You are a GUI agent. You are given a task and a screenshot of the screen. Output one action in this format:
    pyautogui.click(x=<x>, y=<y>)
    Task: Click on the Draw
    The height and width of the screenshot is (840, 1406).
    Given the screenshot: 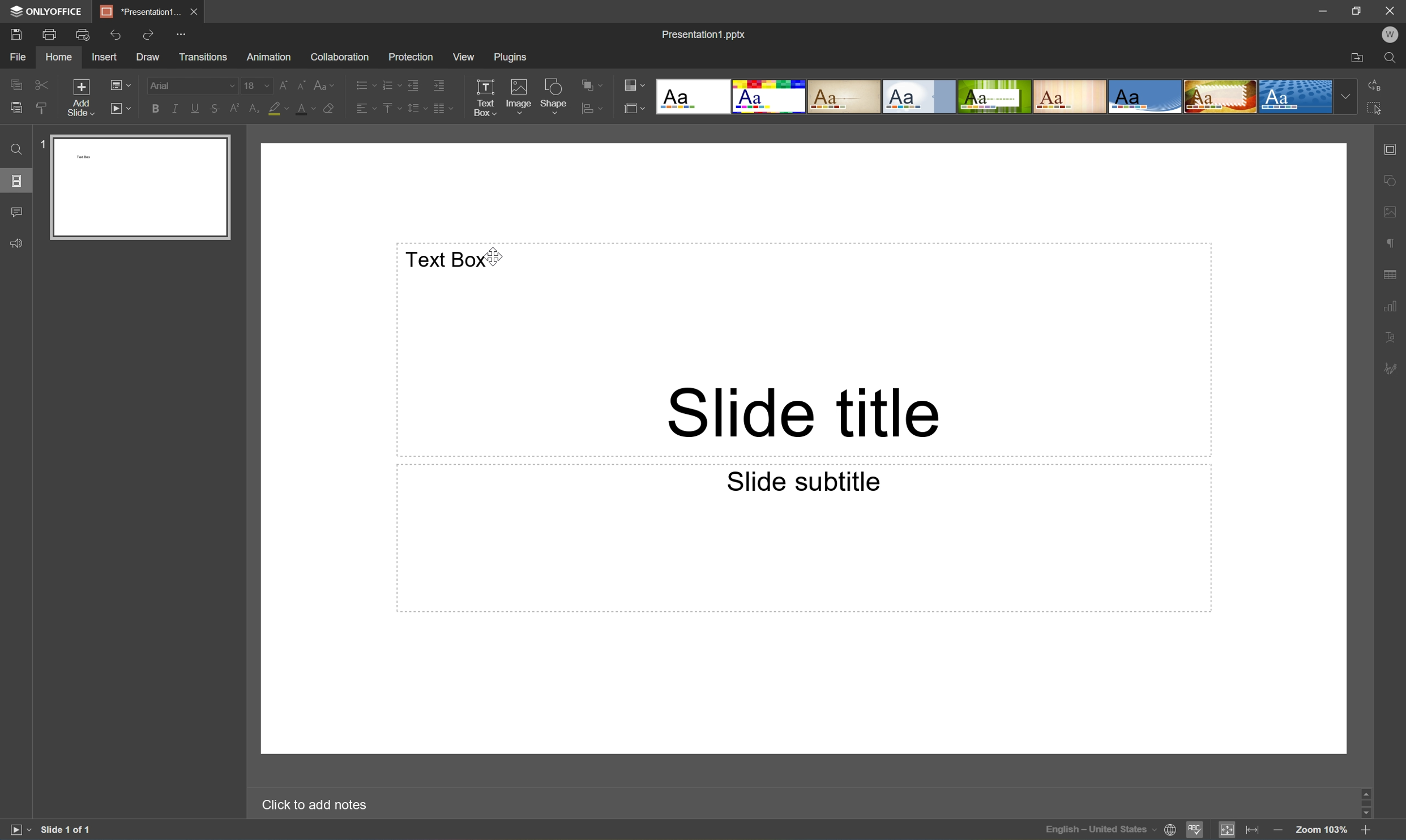 What is the action you would take?
    pyautogui.click(x=148, y=56)
    